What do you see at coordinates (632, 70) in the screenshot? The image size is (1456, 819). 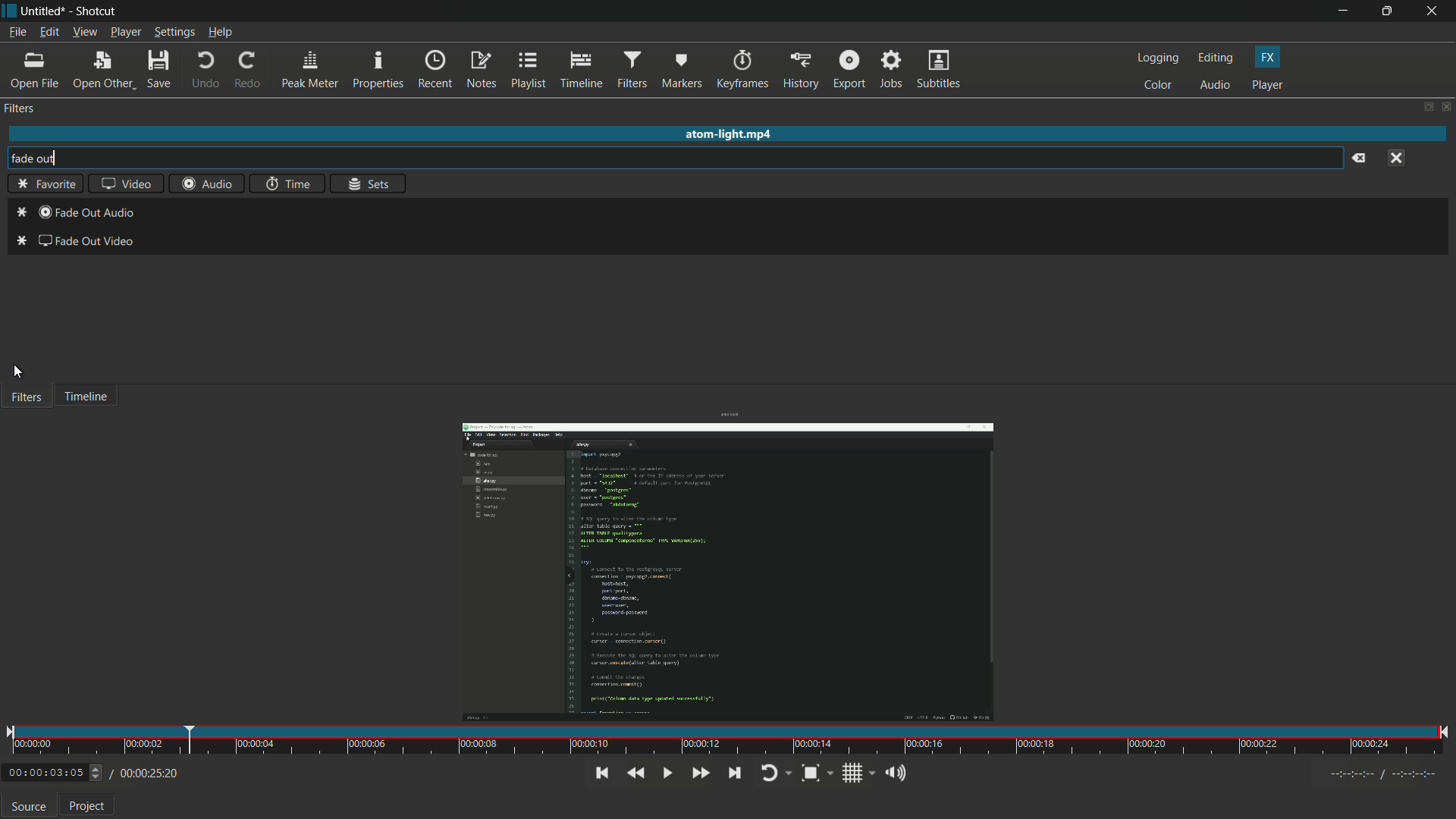 I see `filters` at bounding box center [632, 70].